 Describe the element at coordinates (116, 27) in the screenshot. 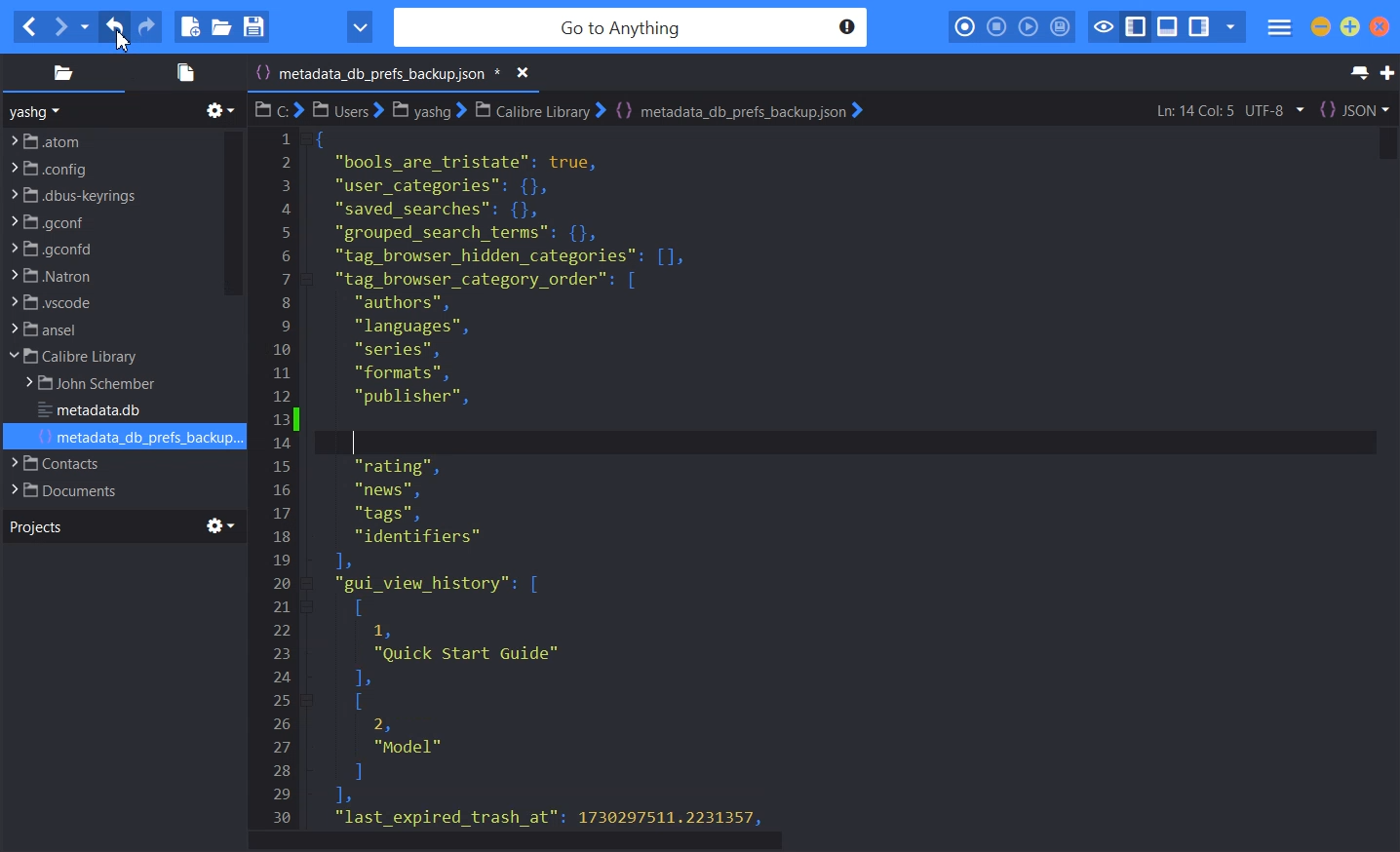

I see `Undo Last Action` at that location.